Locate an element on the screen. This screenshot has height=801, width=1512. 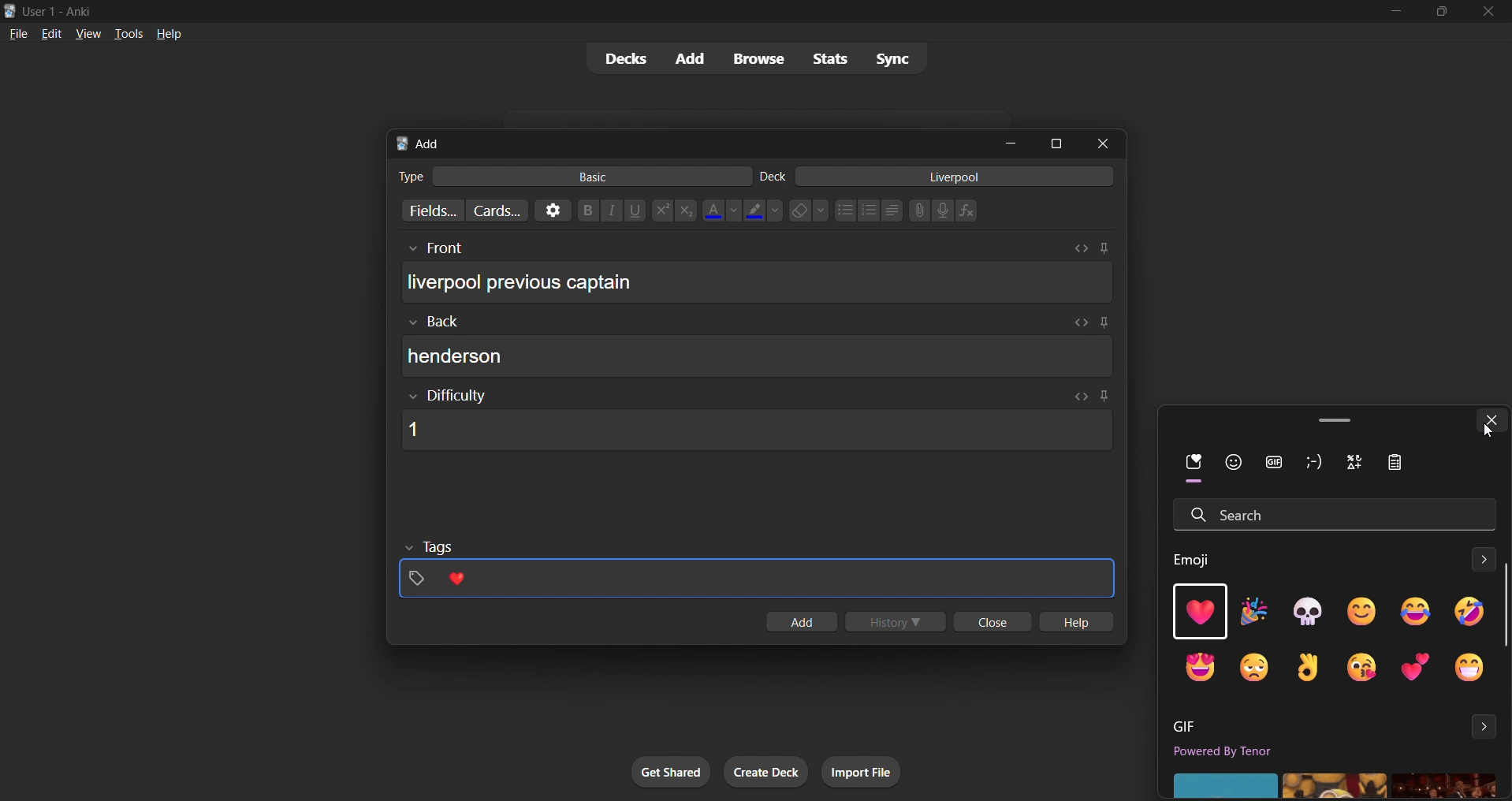
Bold is located at coordinates (587, 209).